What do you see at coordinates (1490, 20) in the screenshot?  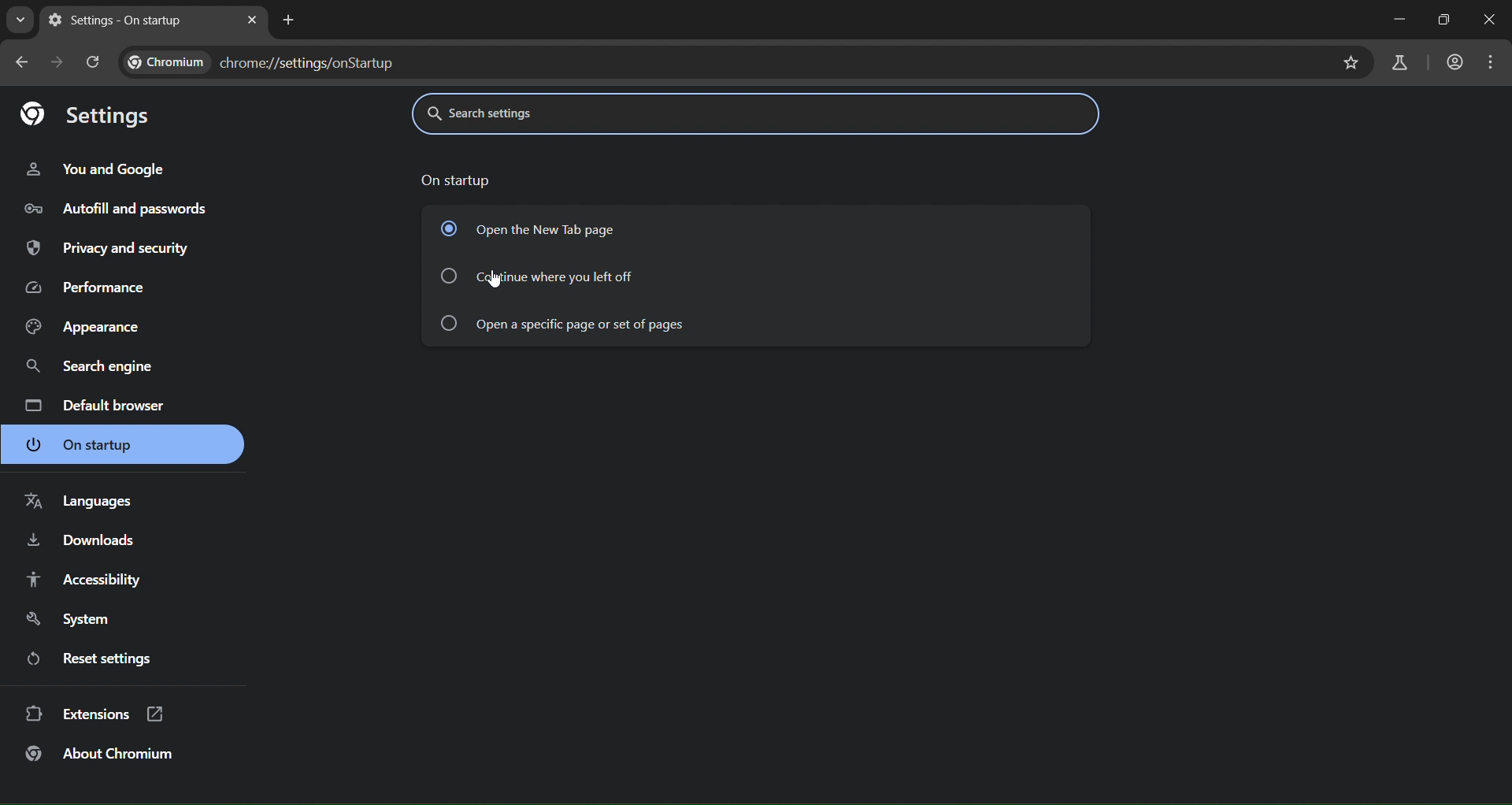 I see `close` at bounding box center [1490, 20].